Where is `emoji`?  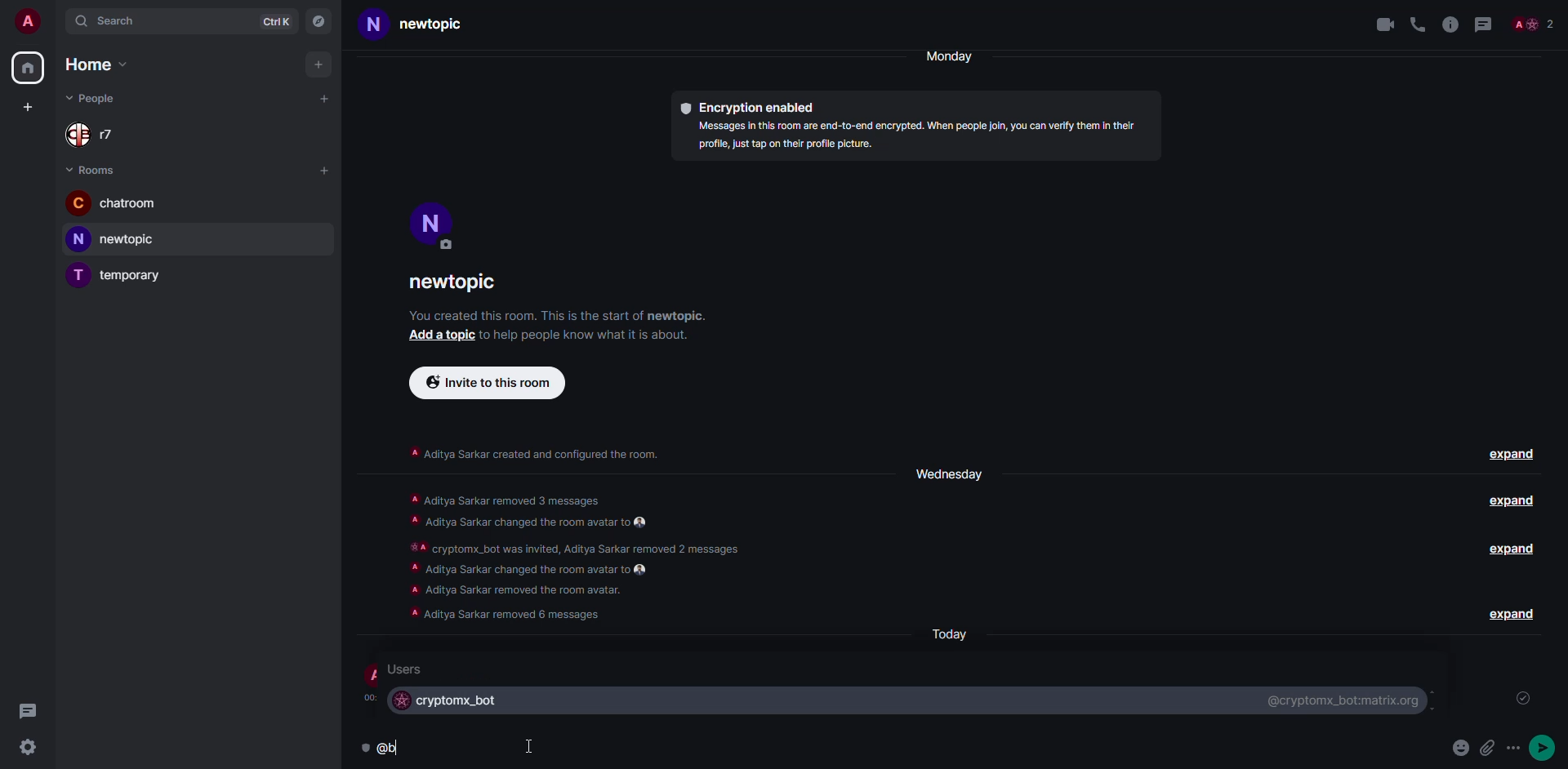 emoji is located at coordinates (1461, 746).